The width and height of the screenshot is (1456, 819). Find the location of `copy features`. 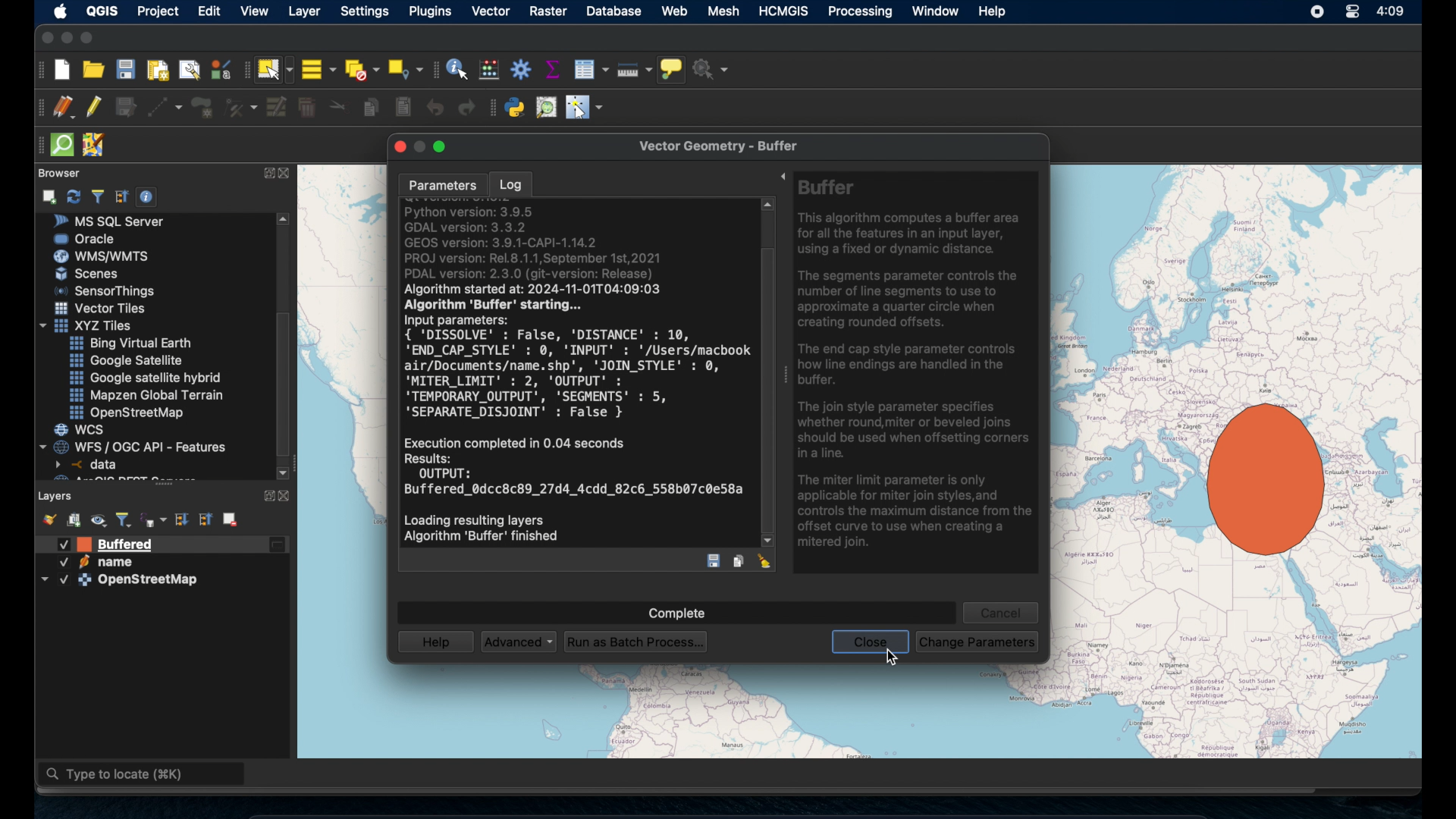

copy features is located at coordinates (371, 106).